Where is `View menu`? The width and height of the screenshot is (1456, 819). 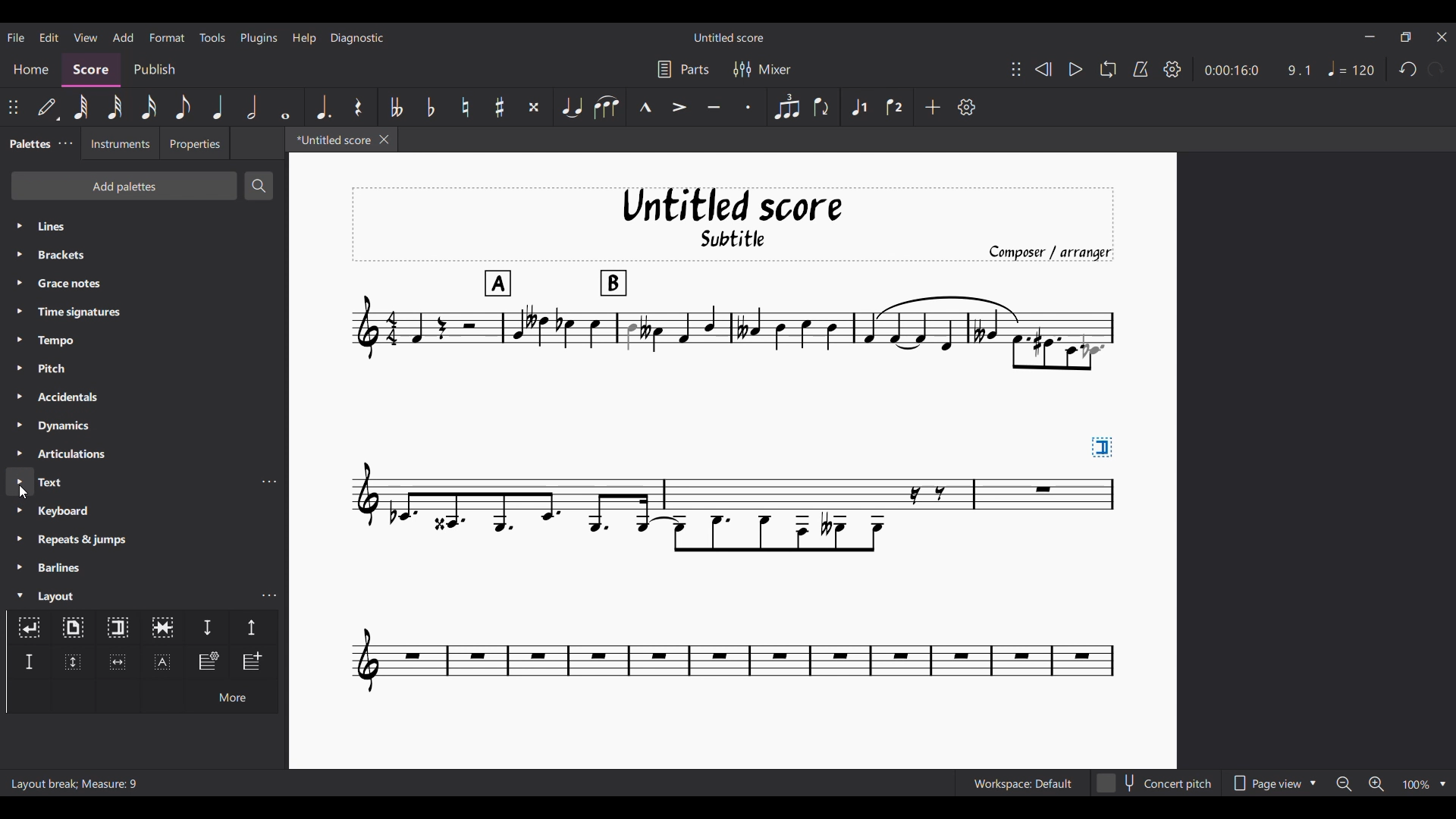
View menu is located at coordinates (86, 38).